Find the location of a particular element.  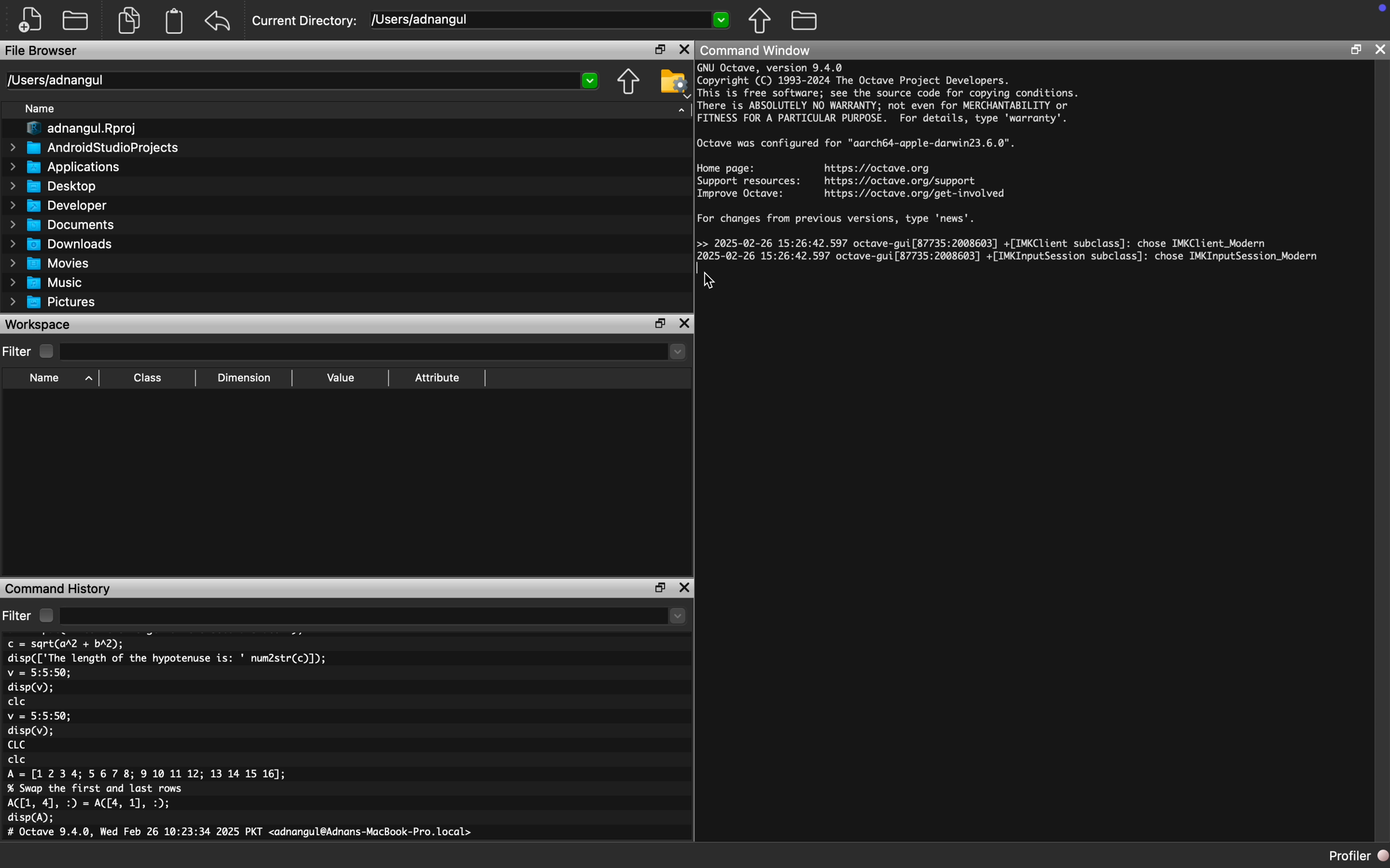

Add file is located at coordinates (30, 21).